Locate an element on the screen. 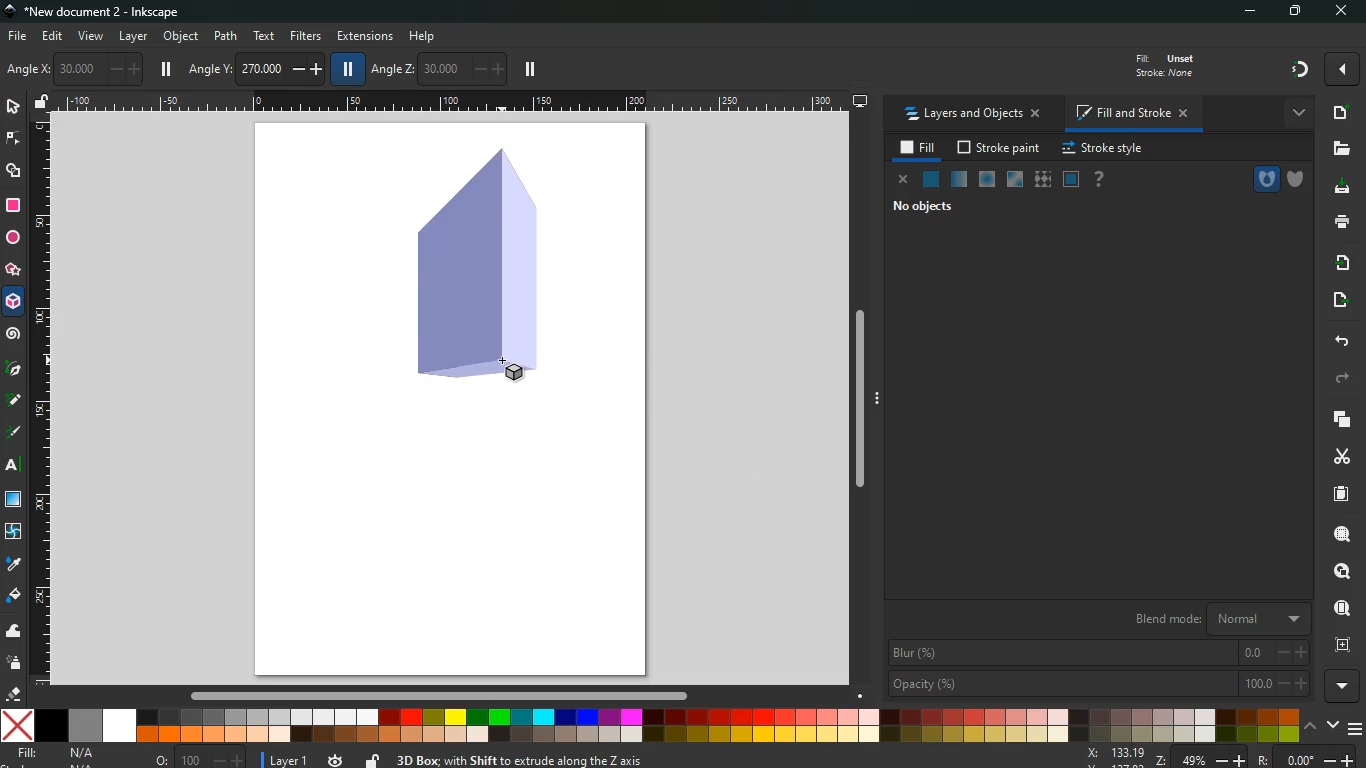 Image resolution: width=1366 pixels, height=768 pixels. more is located at coordinates (1296, 112).